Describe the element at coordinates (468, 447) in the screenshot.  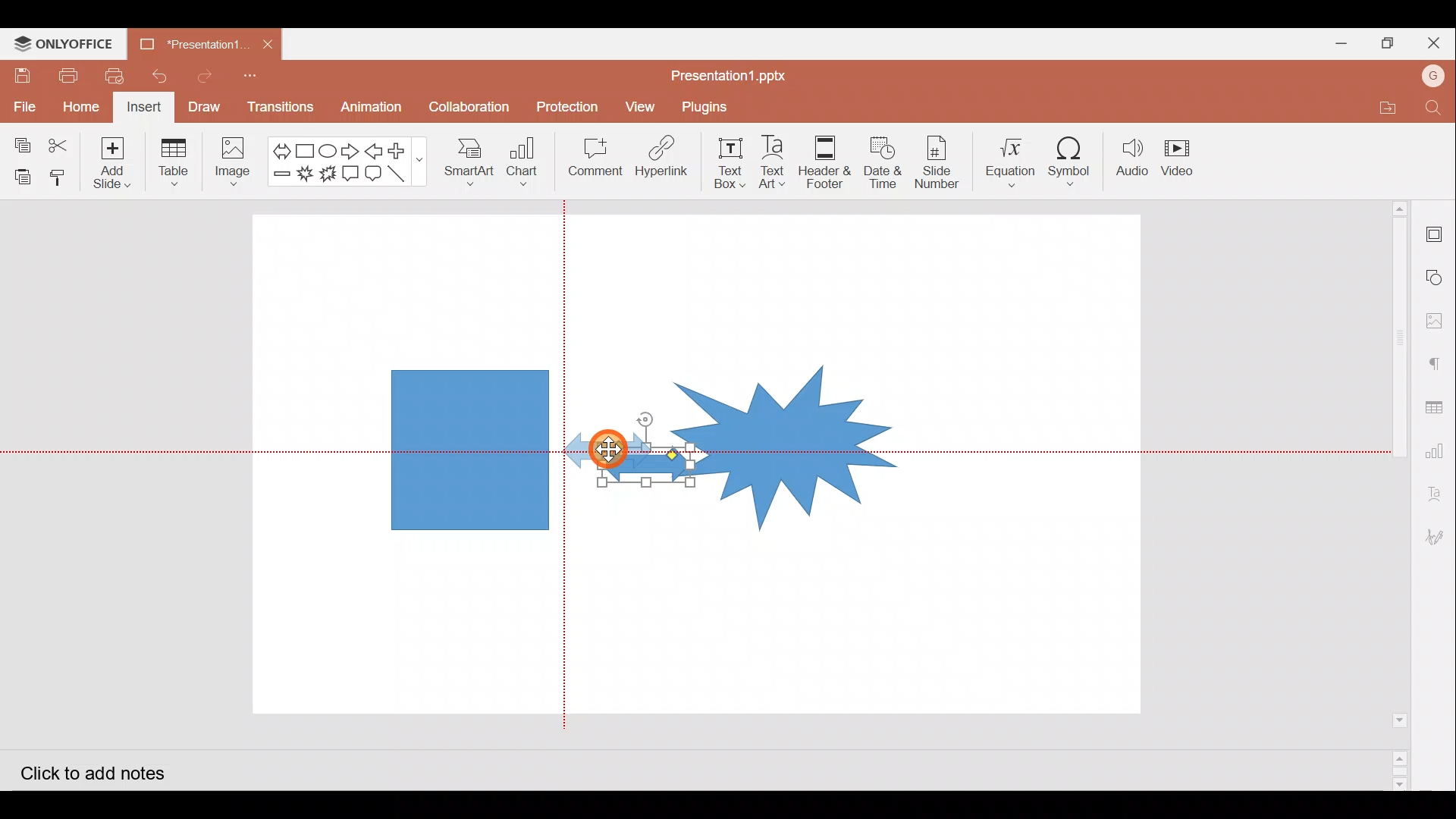
I see `Rectangle shape` at that location.